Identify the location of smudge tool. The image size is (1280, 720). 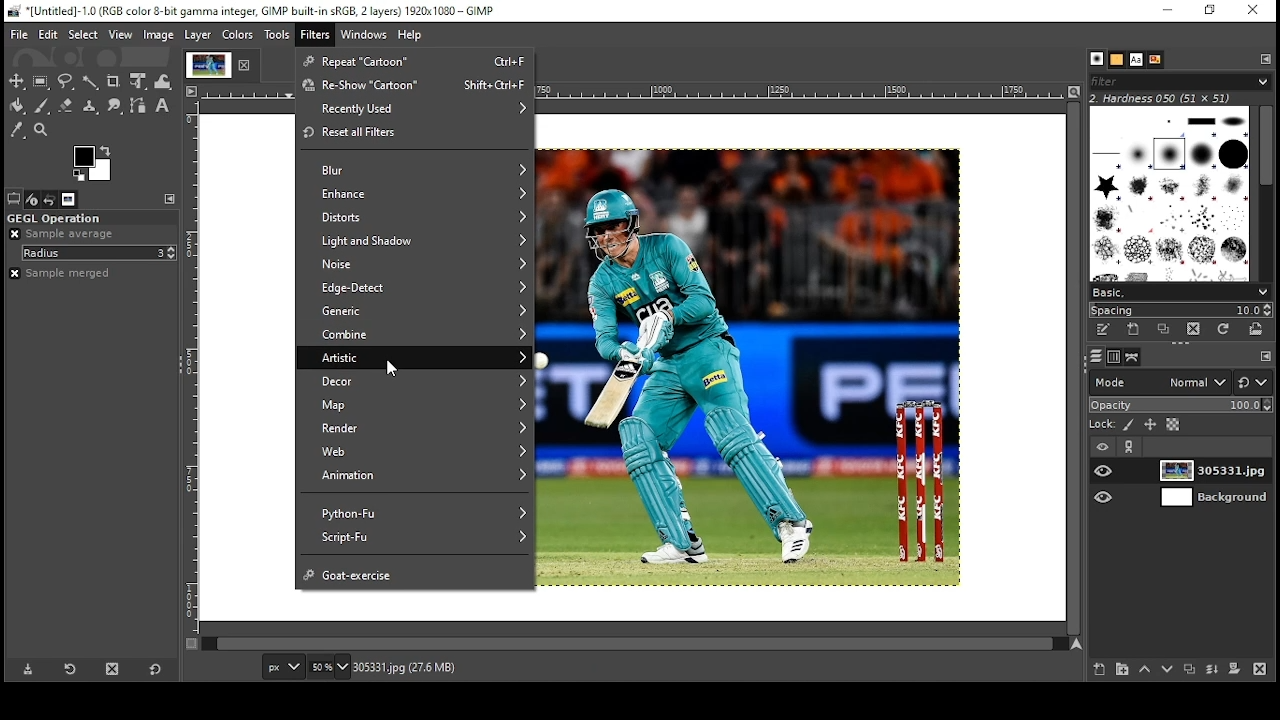
(114, 106).